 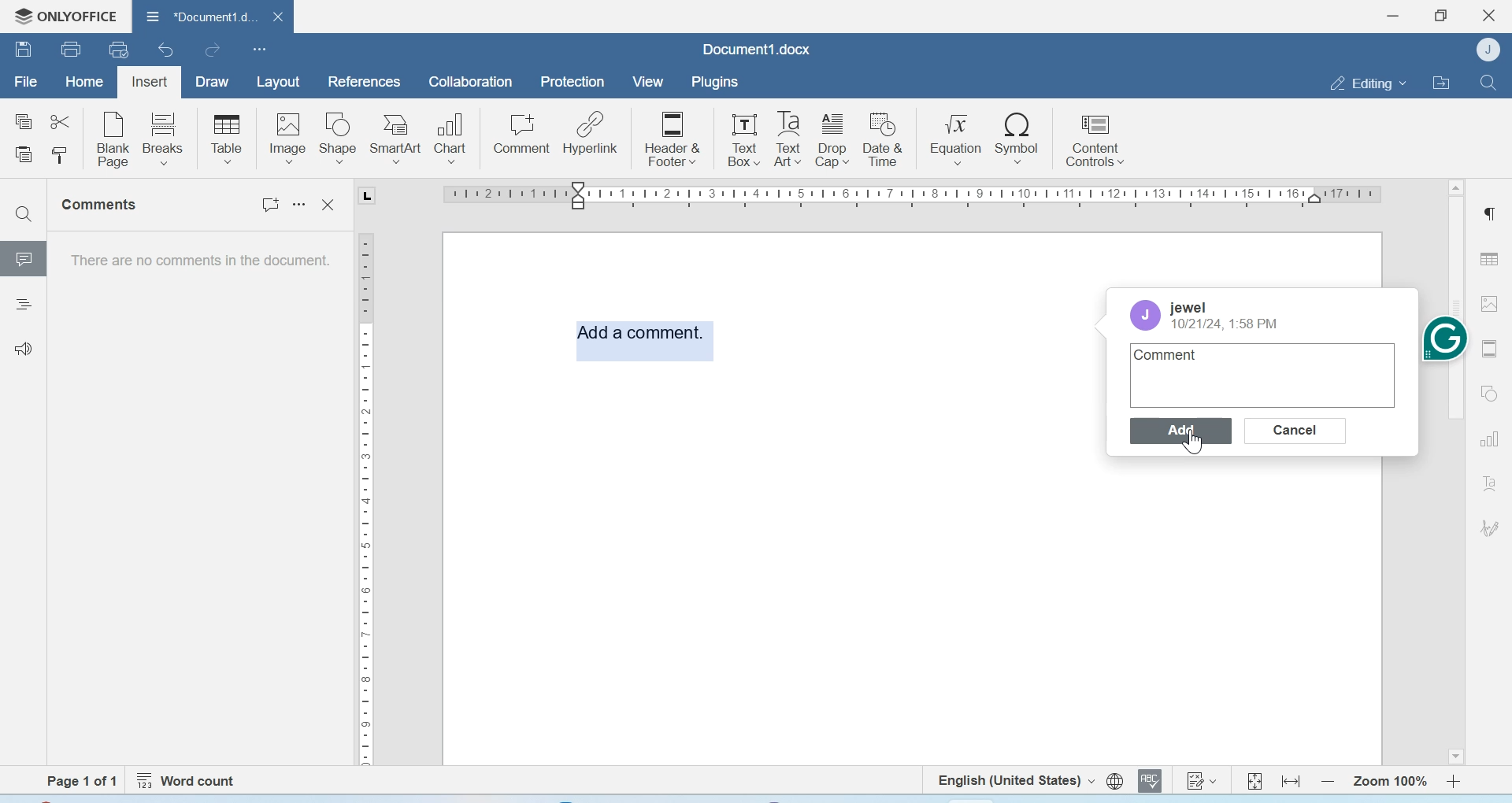 What do you see at coordinates (1328, 781) in the screenshot?
I see `Zoom out` at bounding box center [1328, 781].